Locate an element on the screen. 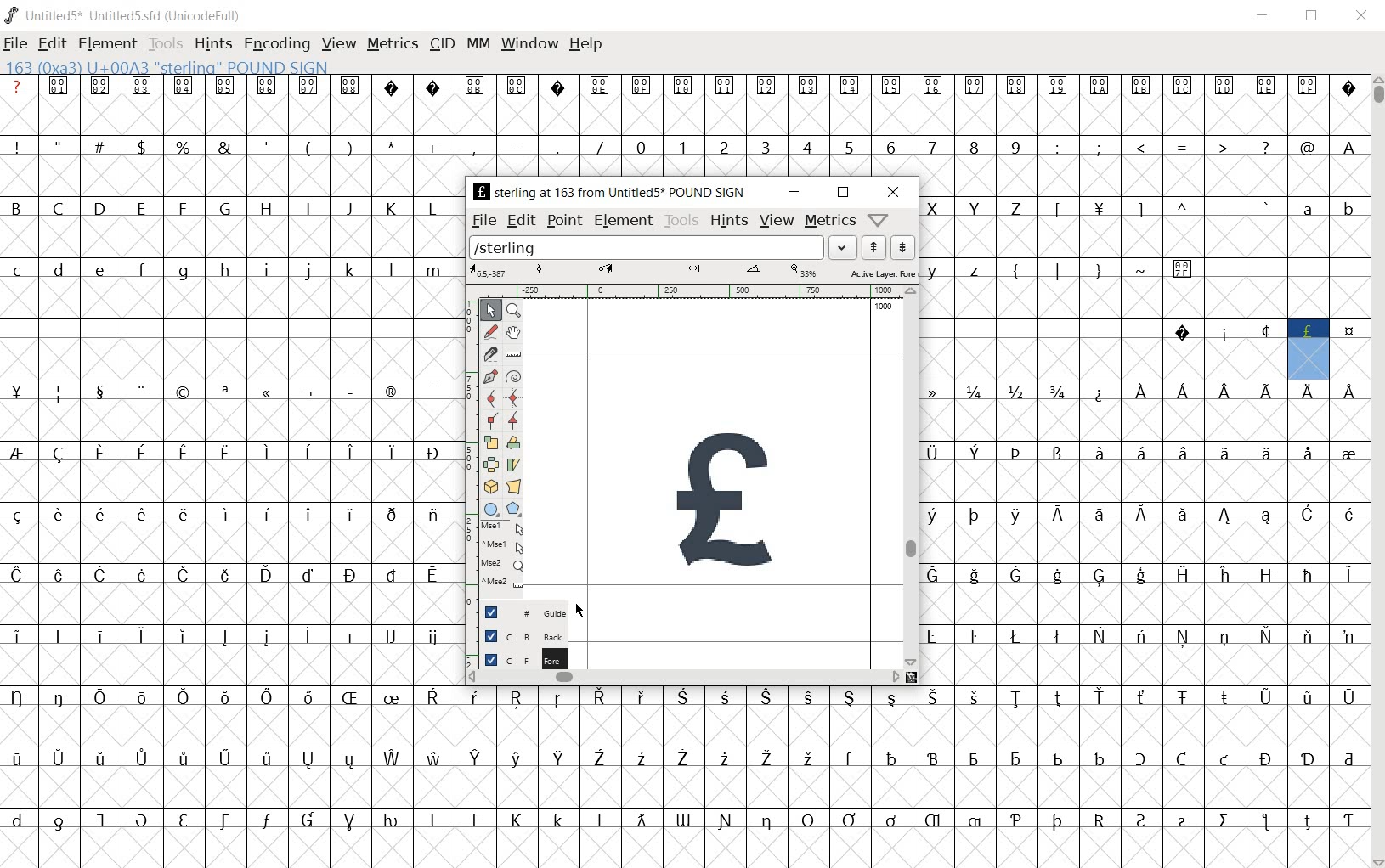  Symbol is located at coordinates (851, 759).